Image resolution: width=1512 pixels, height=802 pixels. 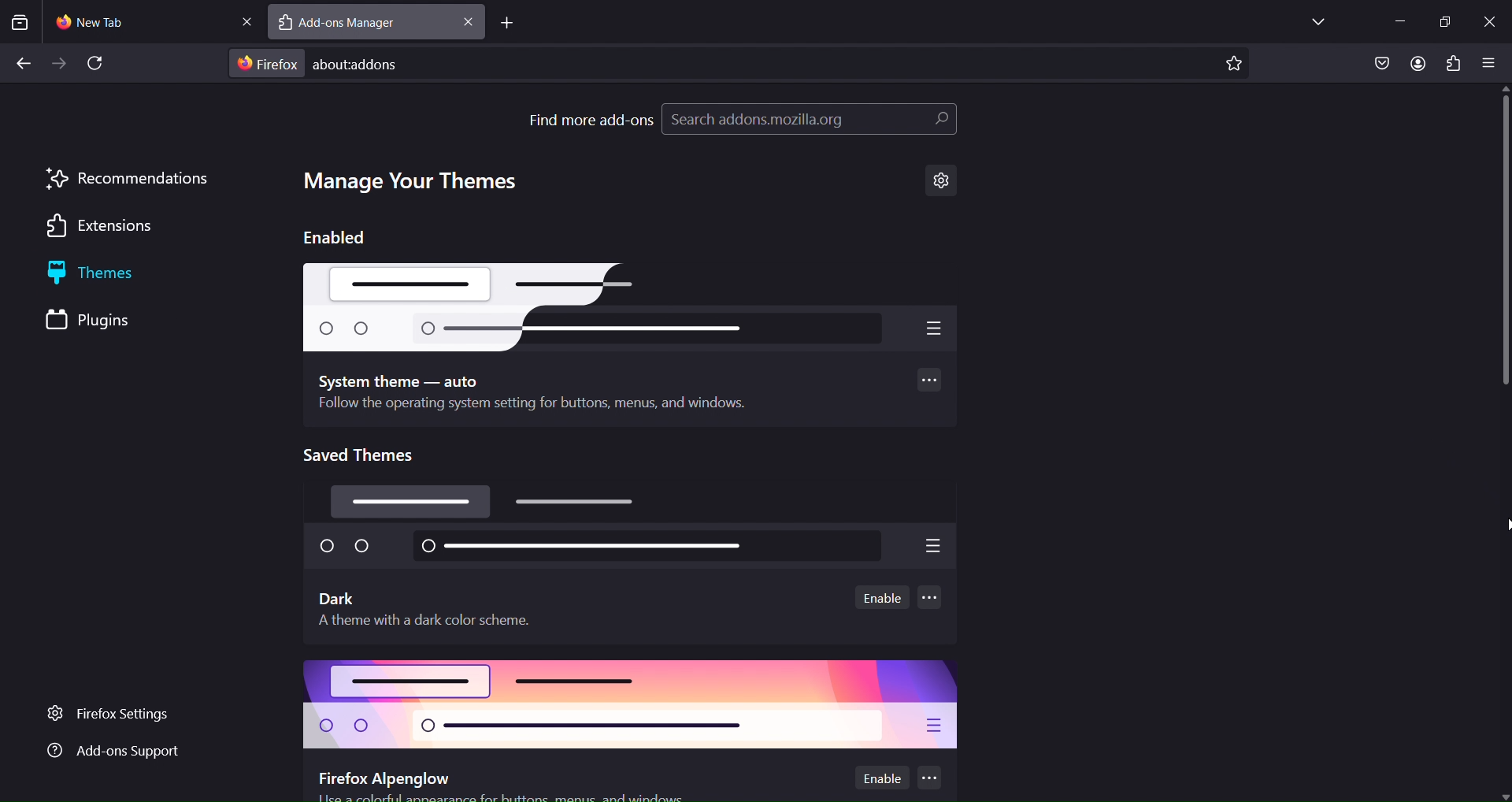 What do you see at coordinates (1380, 64) in the screenshot?
I see `save to pocket` at bounding box center [1380, 64].